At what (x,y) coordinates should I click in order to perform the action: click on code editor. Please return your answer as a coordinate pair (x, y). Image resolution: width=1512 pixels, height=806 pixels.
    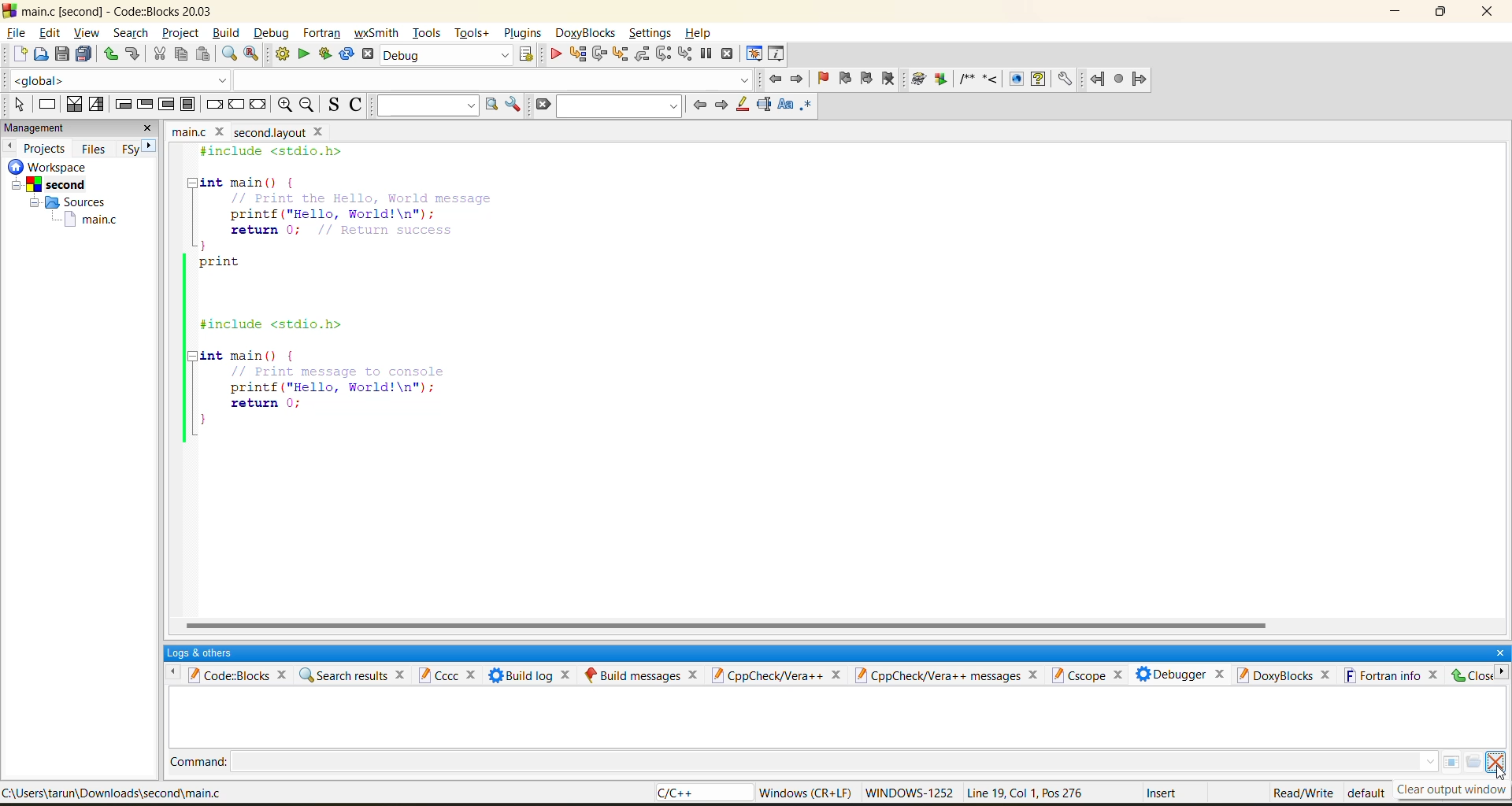
    Looking at the image, I should click on (350, 297).